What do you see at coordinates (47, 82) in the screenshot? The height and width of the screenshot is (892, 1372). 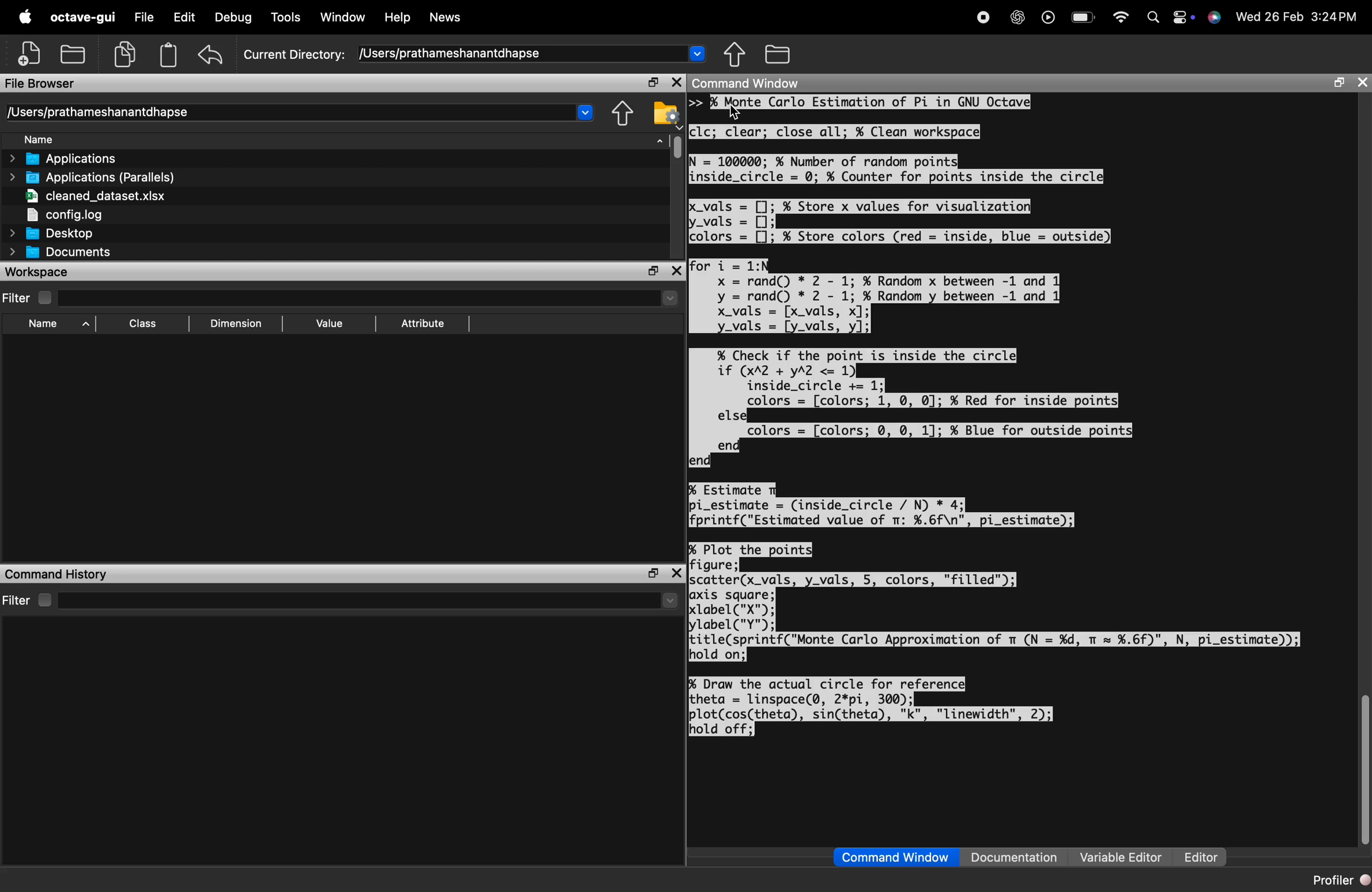 I see `File Browser` at bounding box center [47, 82].